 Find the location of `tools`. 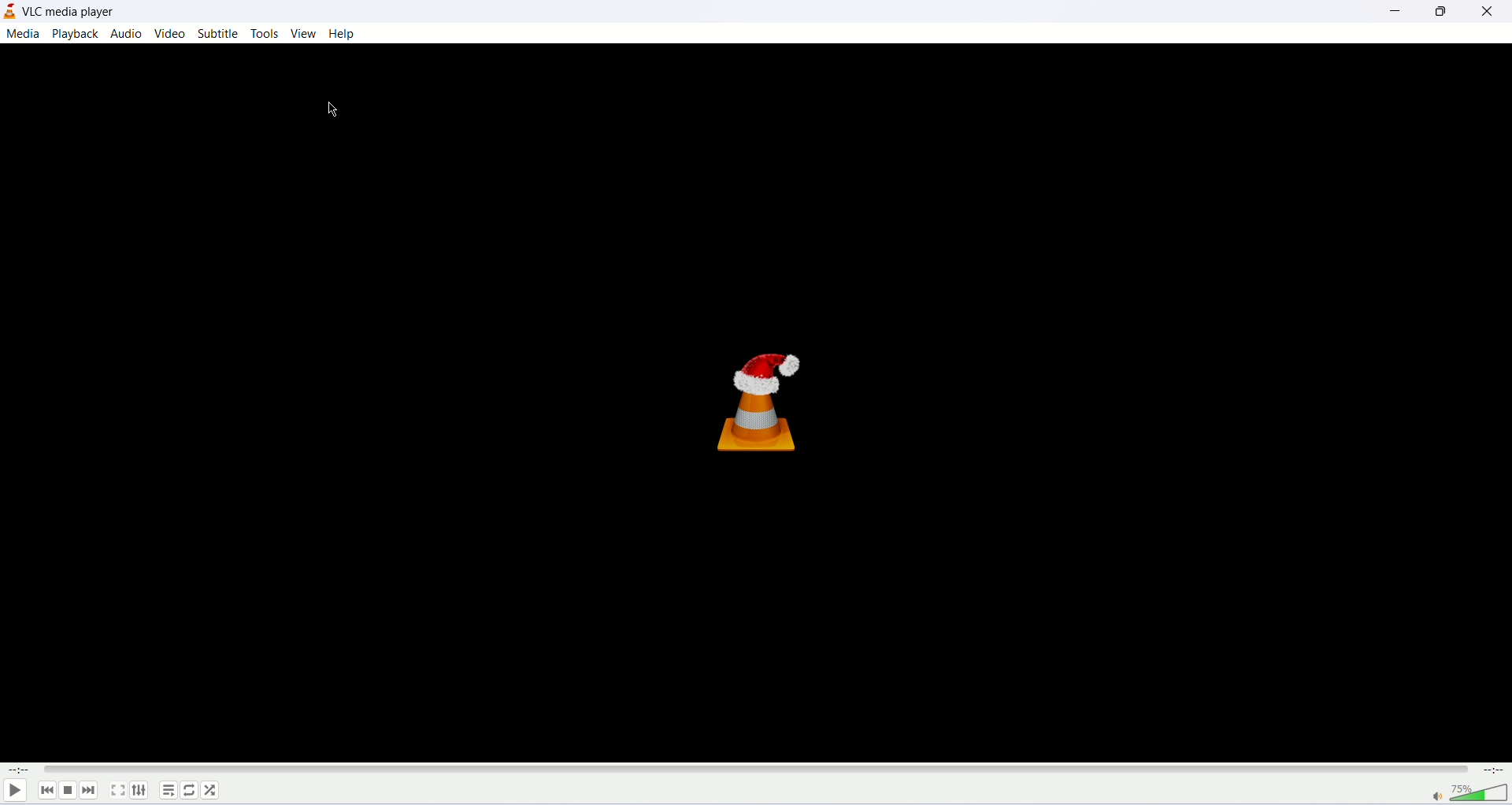

tools is located at coordinates (266, 34).